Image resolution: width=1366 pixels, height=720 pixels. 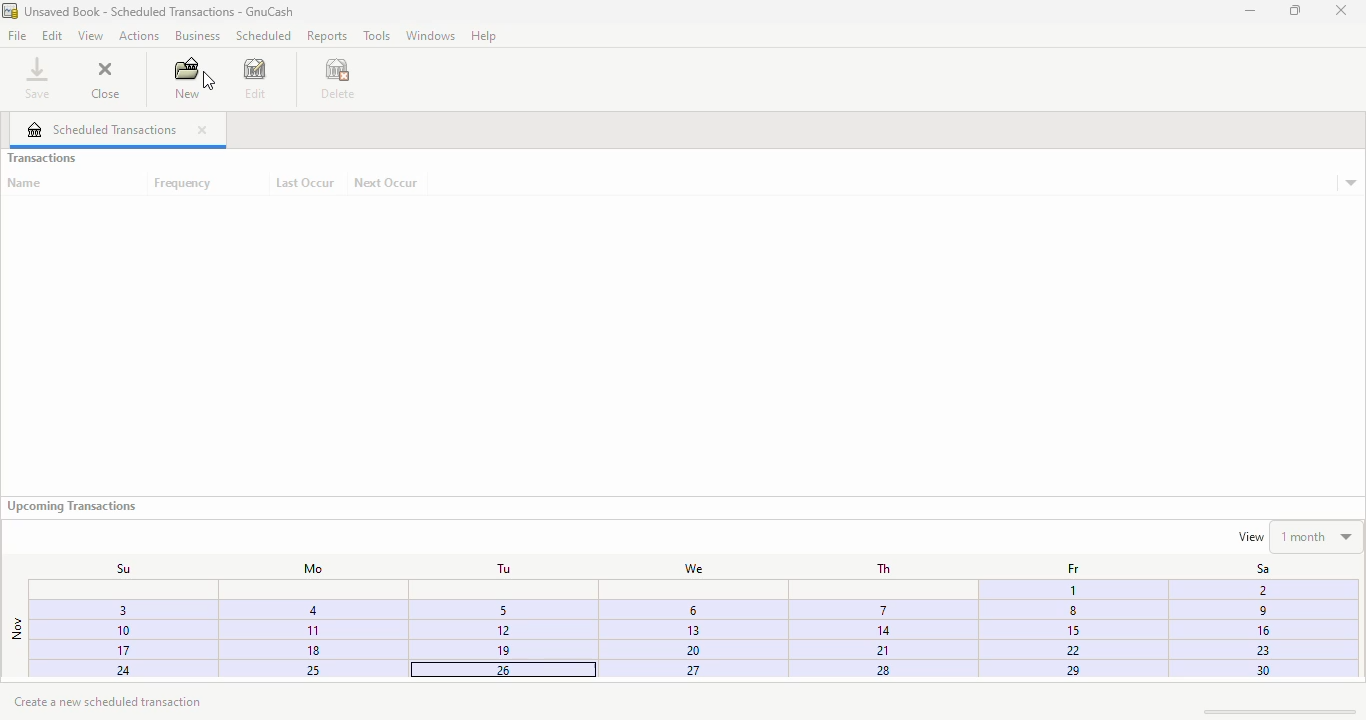 What do you see at coordinates (41, 158) in the screenshot?
I see `transactions` at bounding box center [41, 158].